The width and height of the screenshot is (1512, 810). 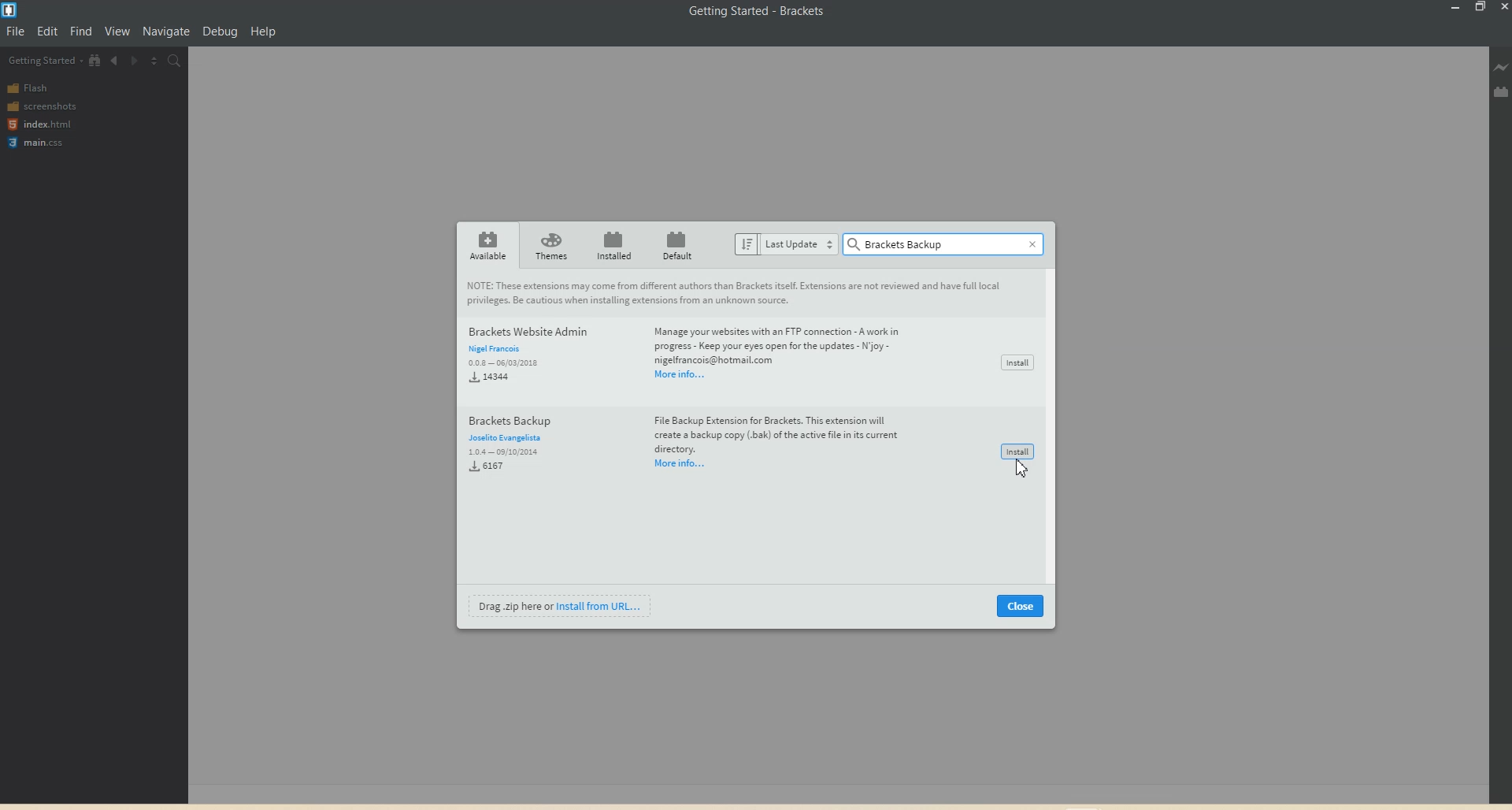 What do you see at coordinates (550, 245) in the screenshot?
I see `Themes` at bounding box center [550, 245].